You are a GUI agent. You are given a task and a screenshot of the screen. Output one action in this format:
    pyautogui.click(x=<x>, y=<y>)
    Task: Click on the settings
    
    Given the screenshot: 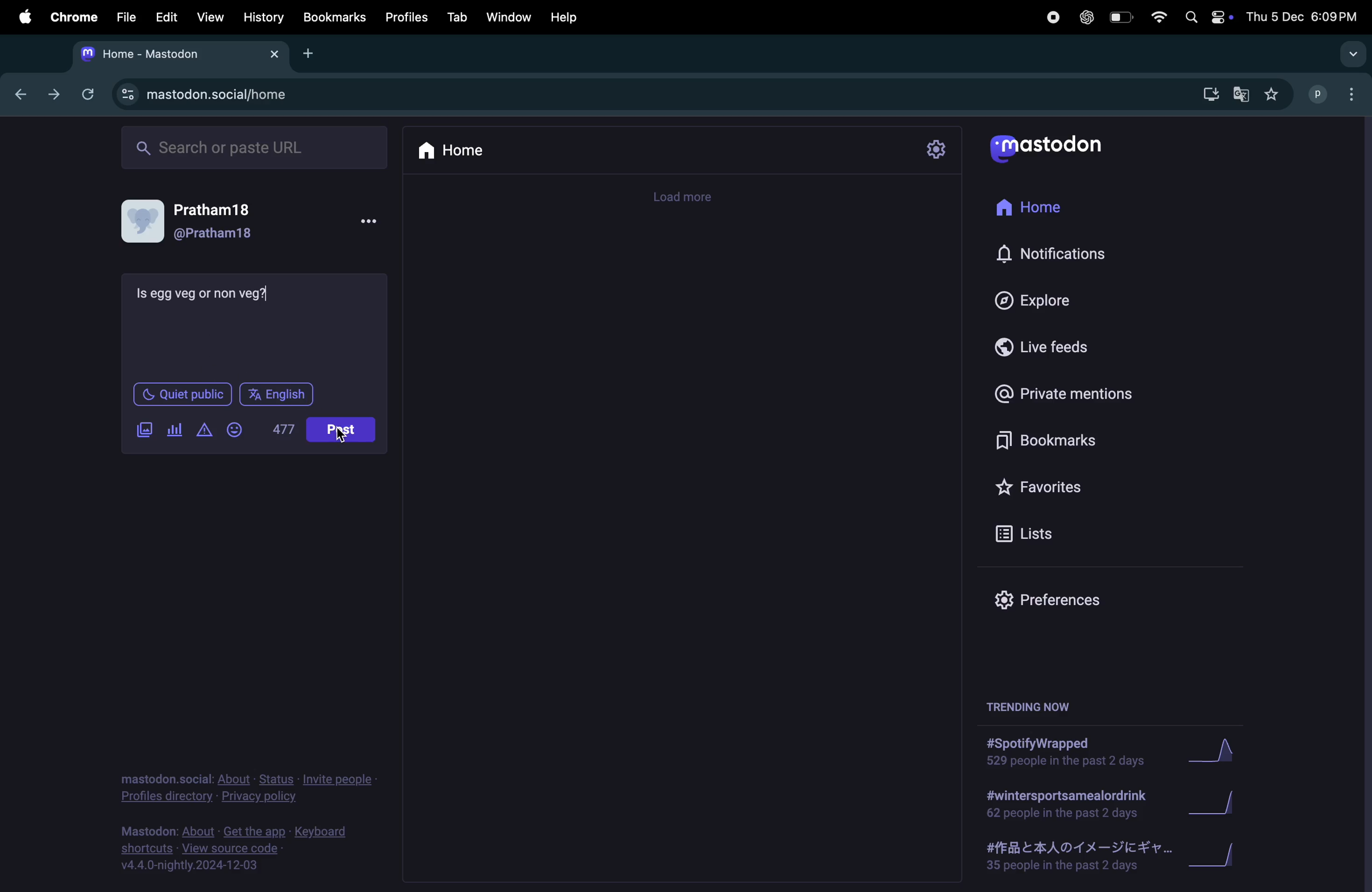 What is the action you would take?
    pyautogui.click(x=935, y=151)
    